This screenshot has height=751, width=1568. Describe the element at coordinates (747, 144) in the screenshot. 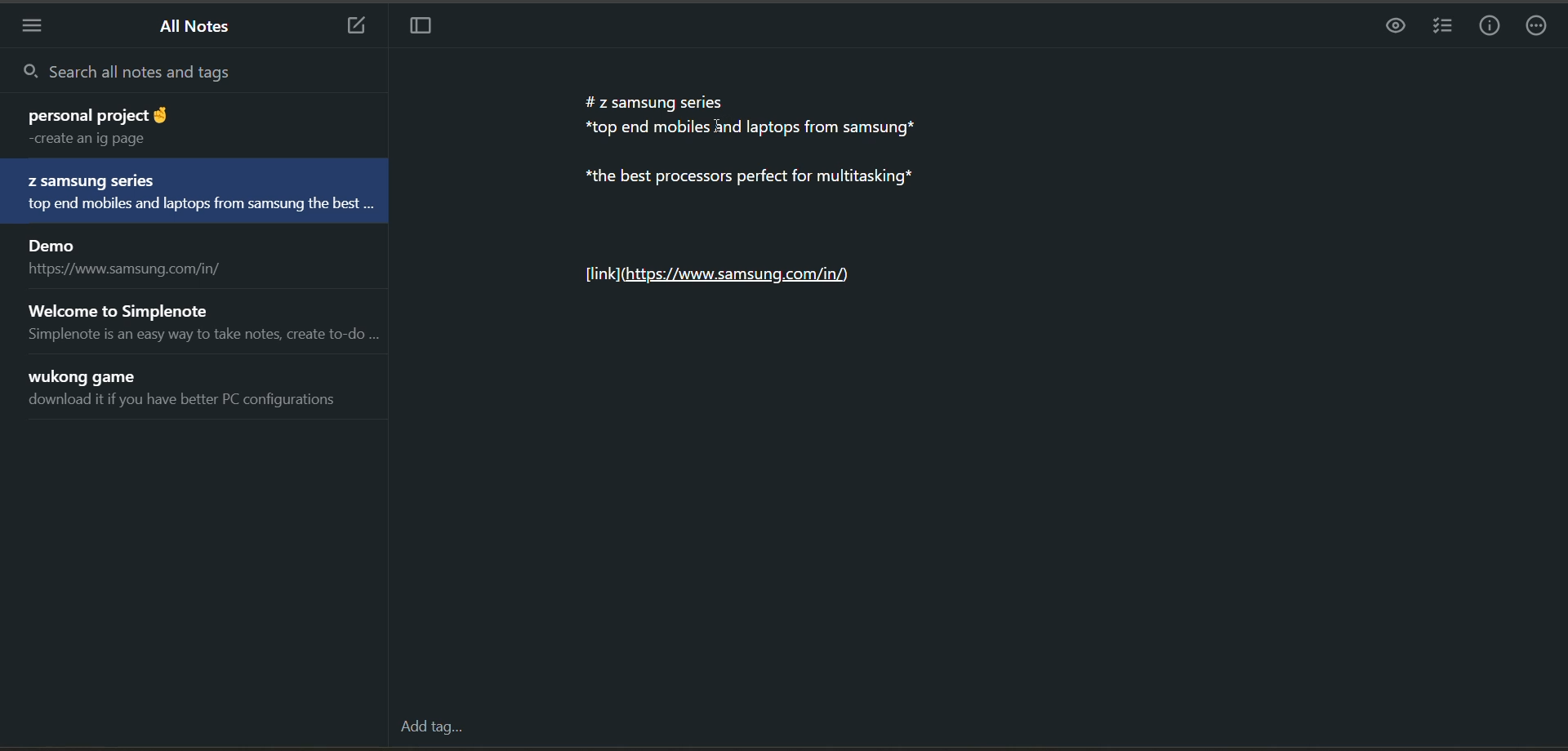

I see `data in the current note` at that location.